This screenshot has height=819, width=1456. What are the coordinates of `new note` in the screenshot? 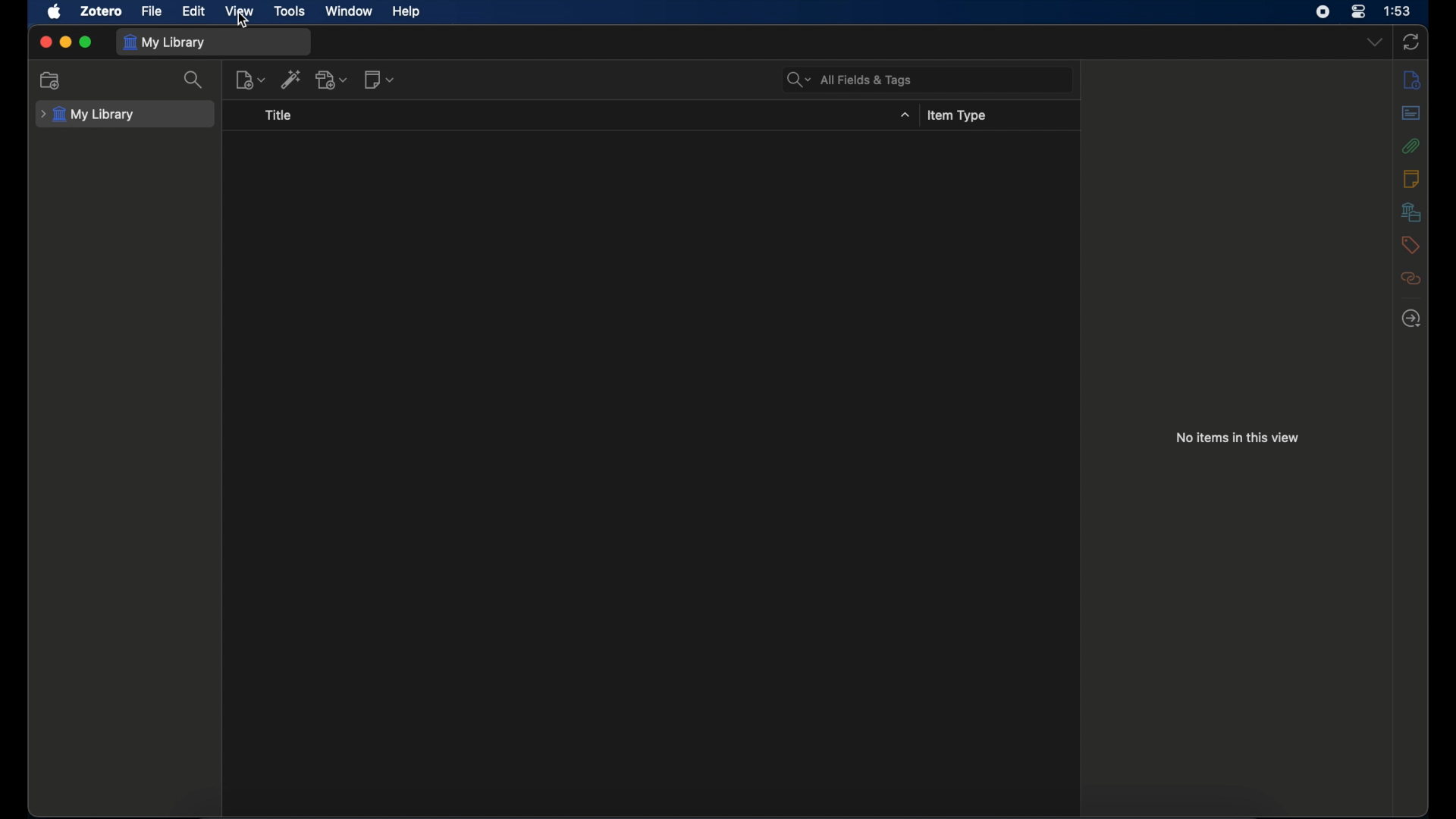 It's located at (379, 80).